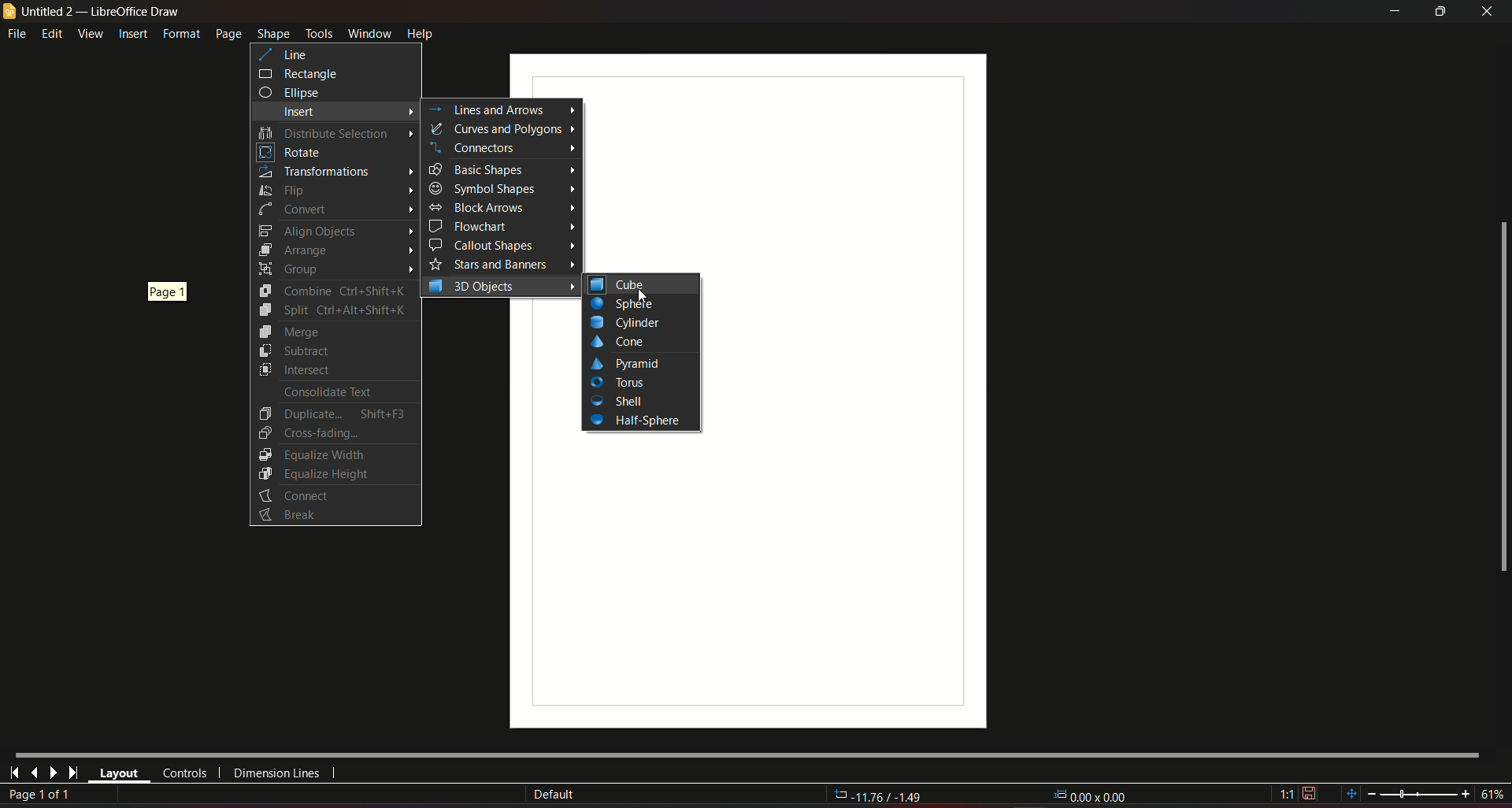 The width and height of the screenshot is (1512, 808). I want to click on Equalize Height, so click(313, 473).